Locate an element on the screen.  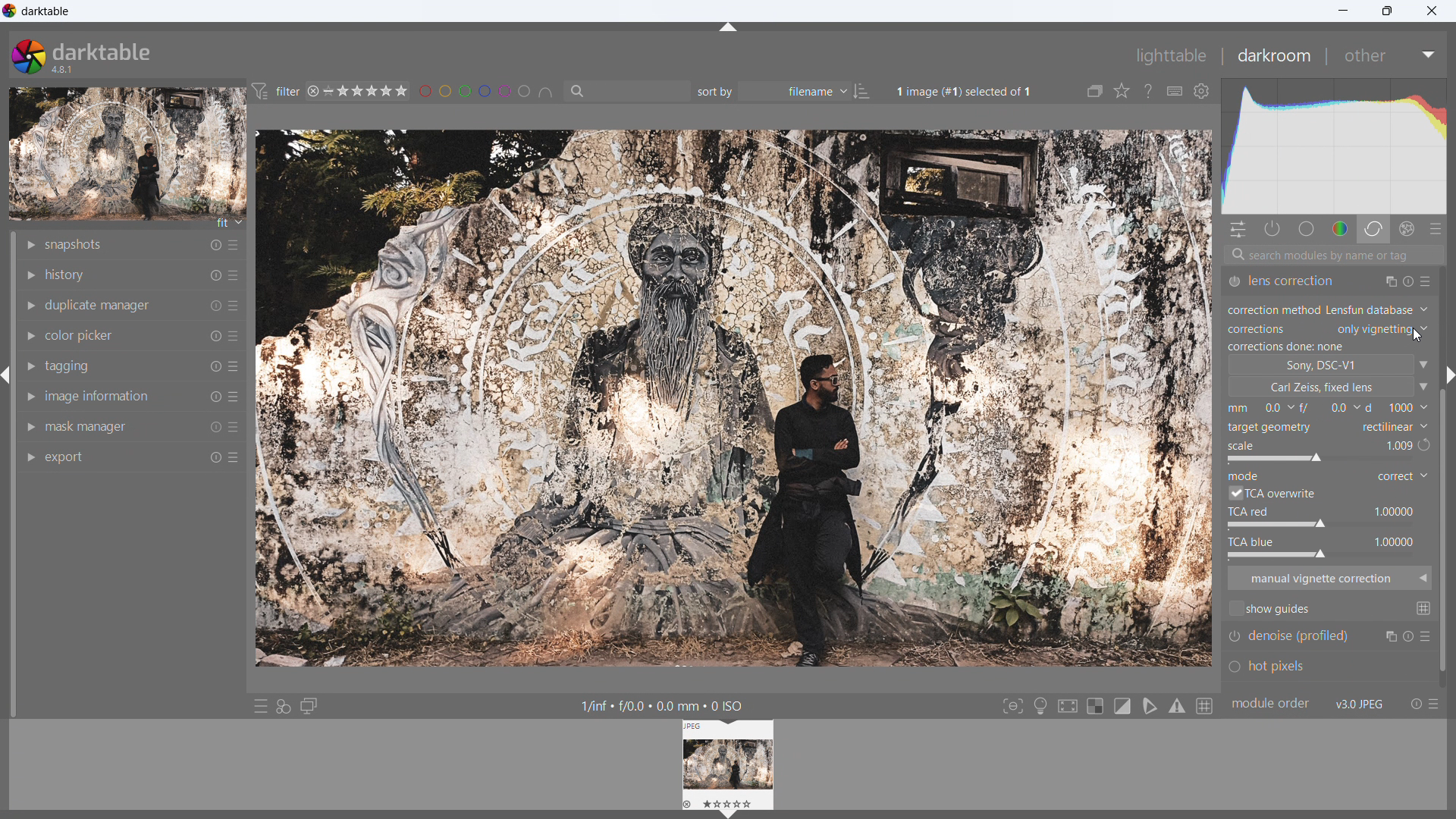
scroll bar is located at coordinates (1447, 476).